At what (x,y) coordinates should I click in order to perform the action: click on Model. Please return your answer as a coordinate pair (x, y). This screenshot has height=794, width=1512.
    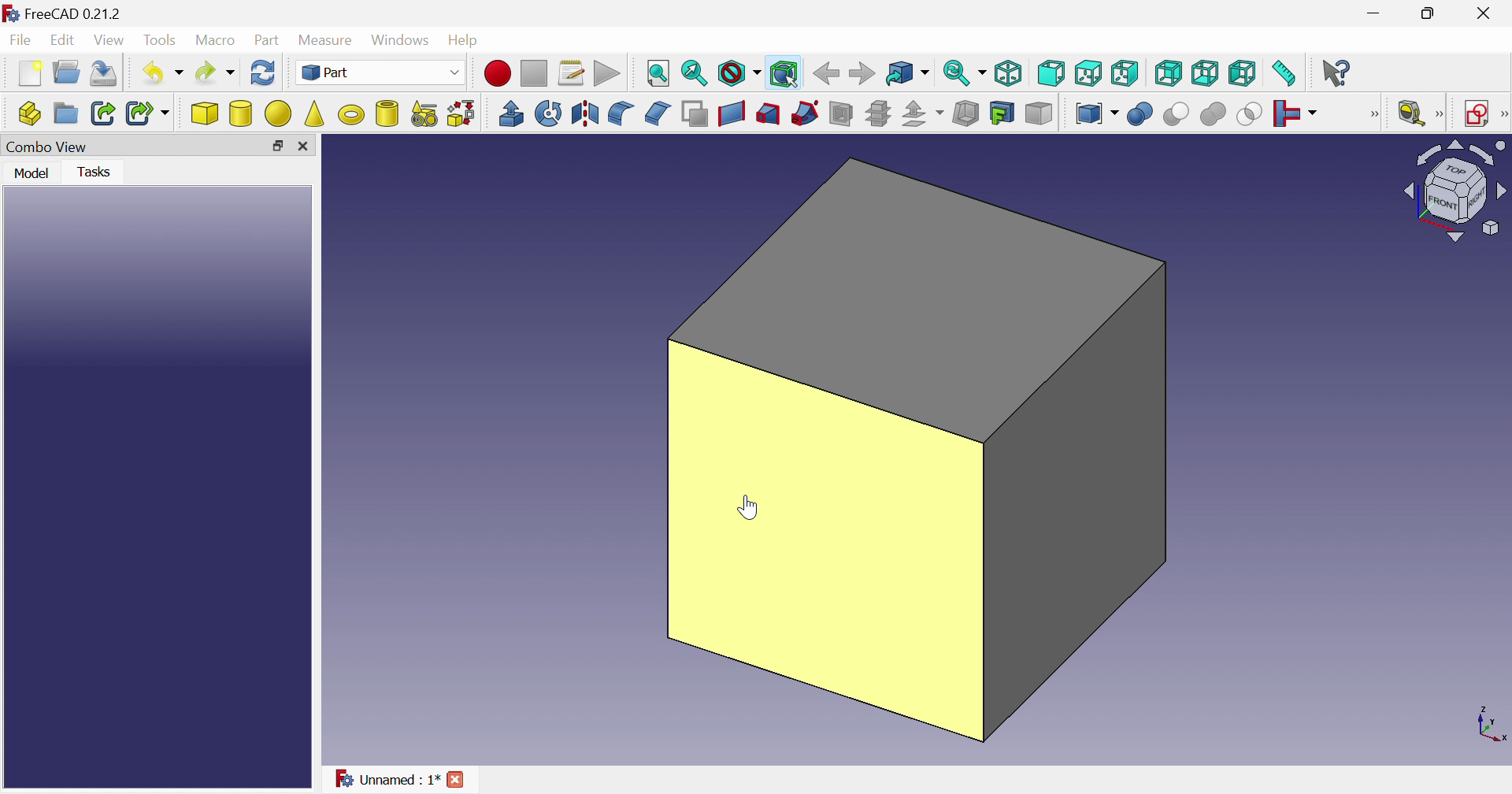
    Looking at the image, I should click on (30, 172).